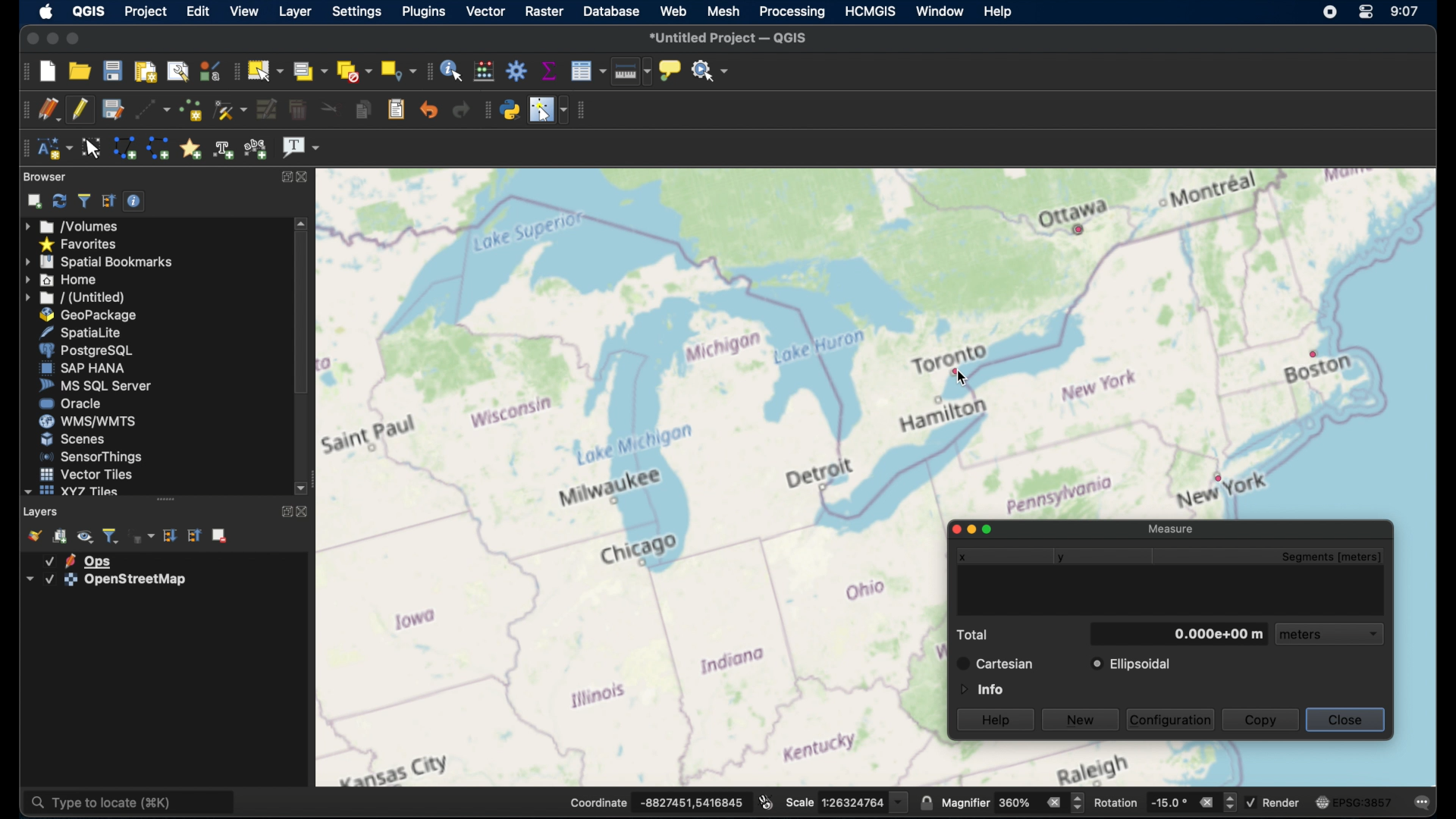  I want to click on scale, so click(846, 801).